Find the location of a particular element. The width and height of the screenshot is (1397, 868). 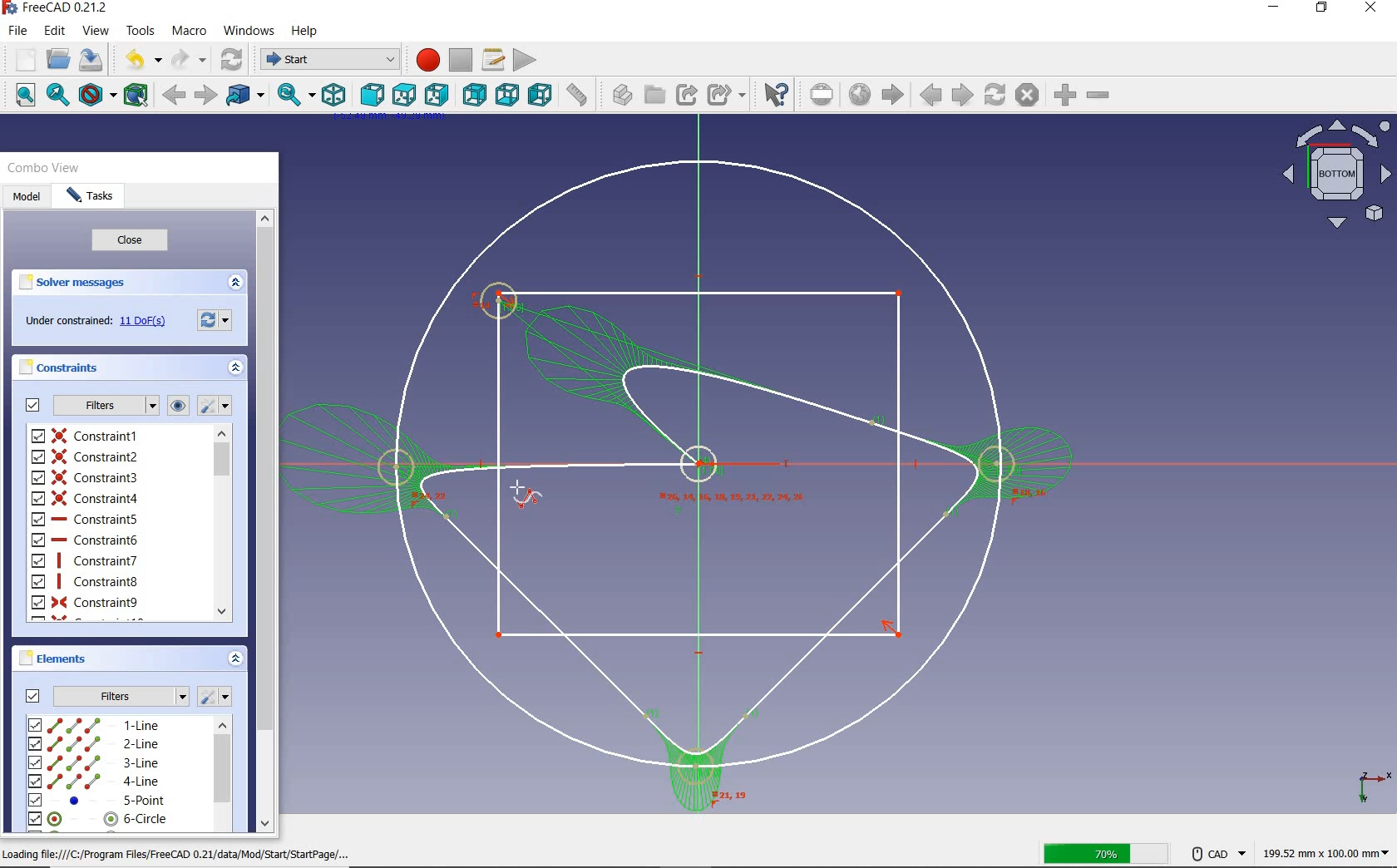

top is located at coordinates (404, 93).